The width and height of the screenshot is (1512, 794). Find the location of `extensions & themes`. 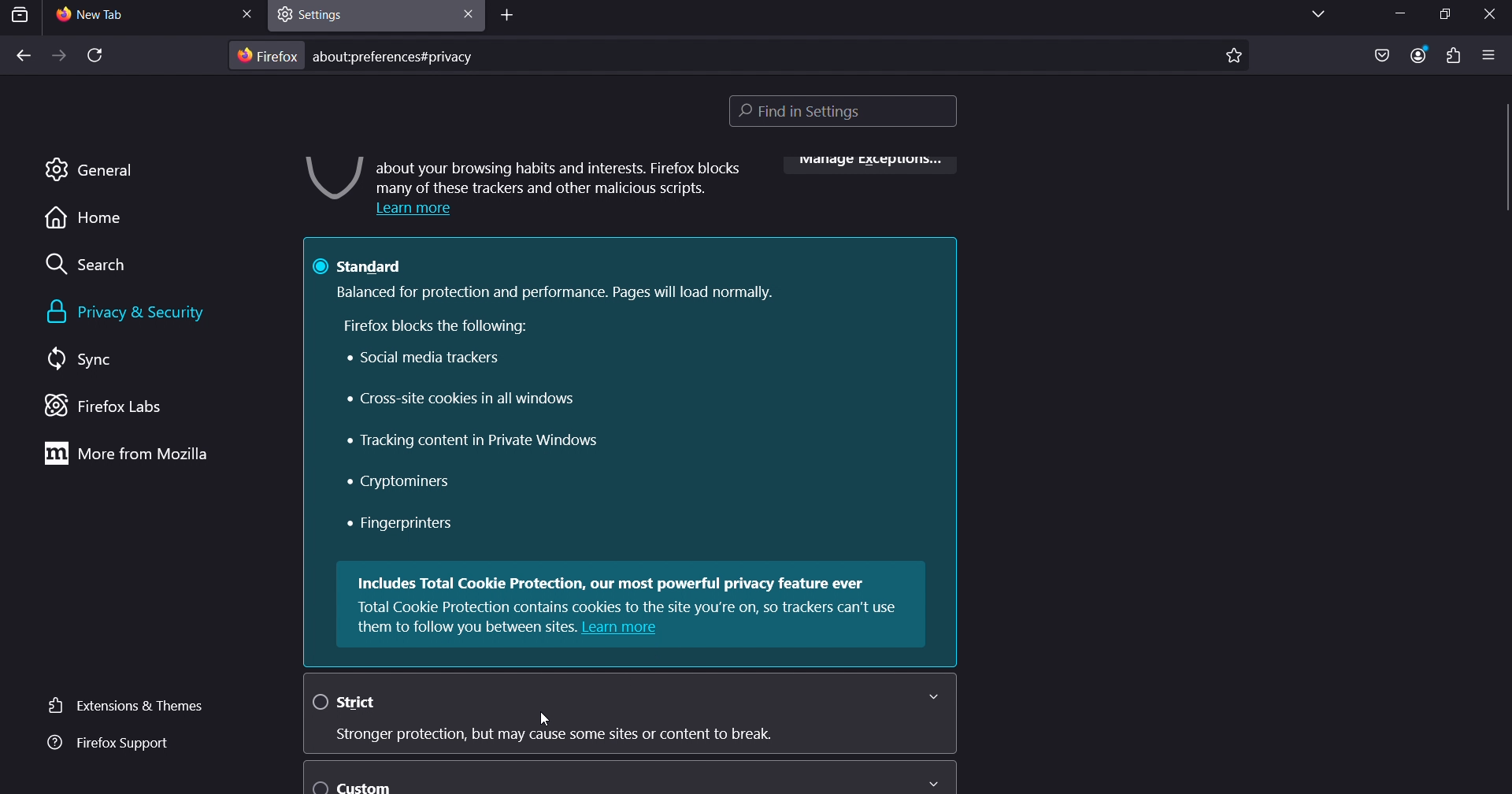

extensions & themes is located at coordinates (121, 704).